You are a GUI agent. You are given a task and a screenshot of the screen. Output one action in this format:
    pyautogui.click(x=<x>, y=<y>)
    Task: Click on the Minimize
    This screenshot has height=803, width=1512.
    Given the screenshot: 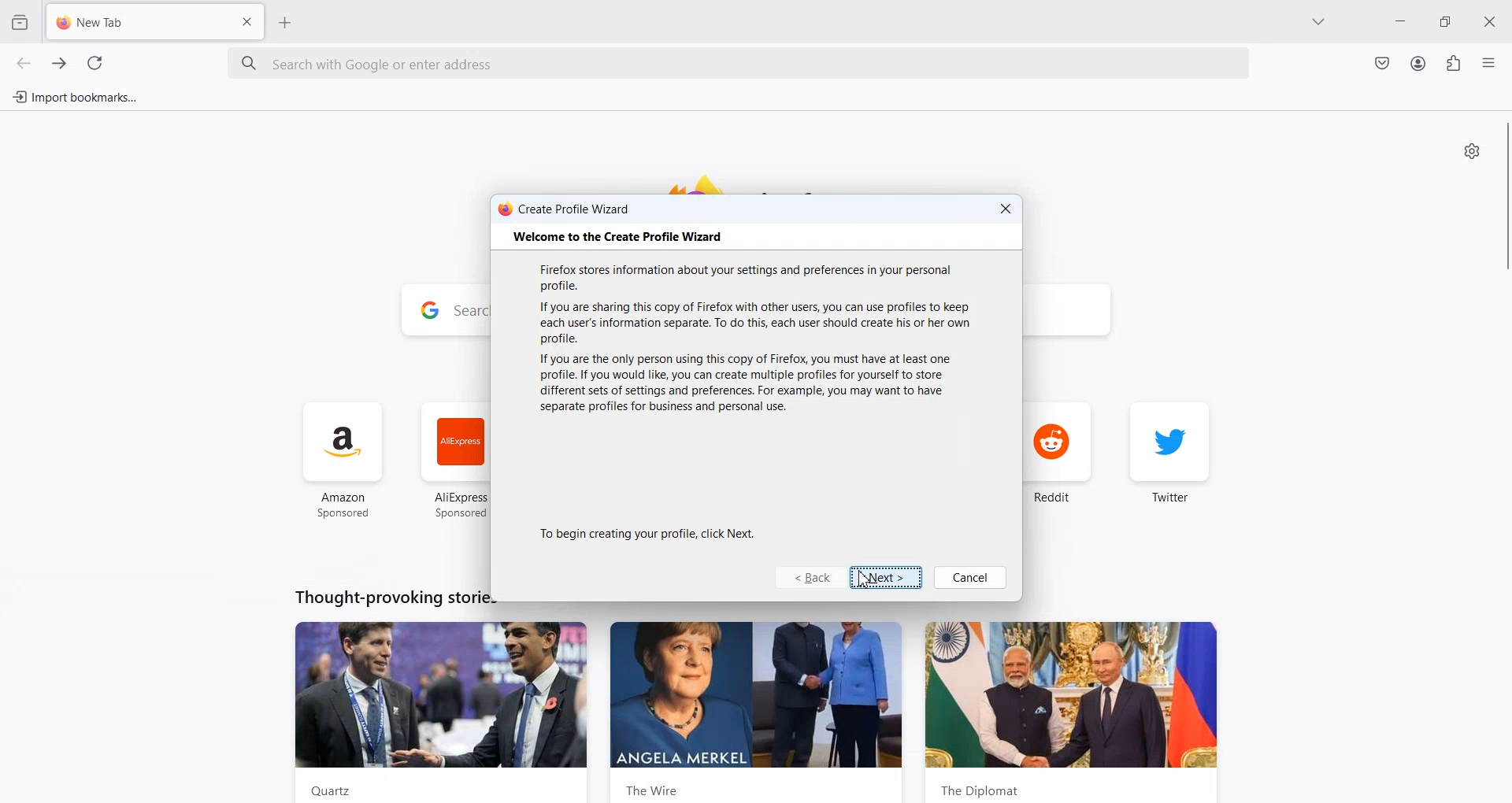 What is the action you would take?
    pyautogui.click(x=1402, y=24)
    